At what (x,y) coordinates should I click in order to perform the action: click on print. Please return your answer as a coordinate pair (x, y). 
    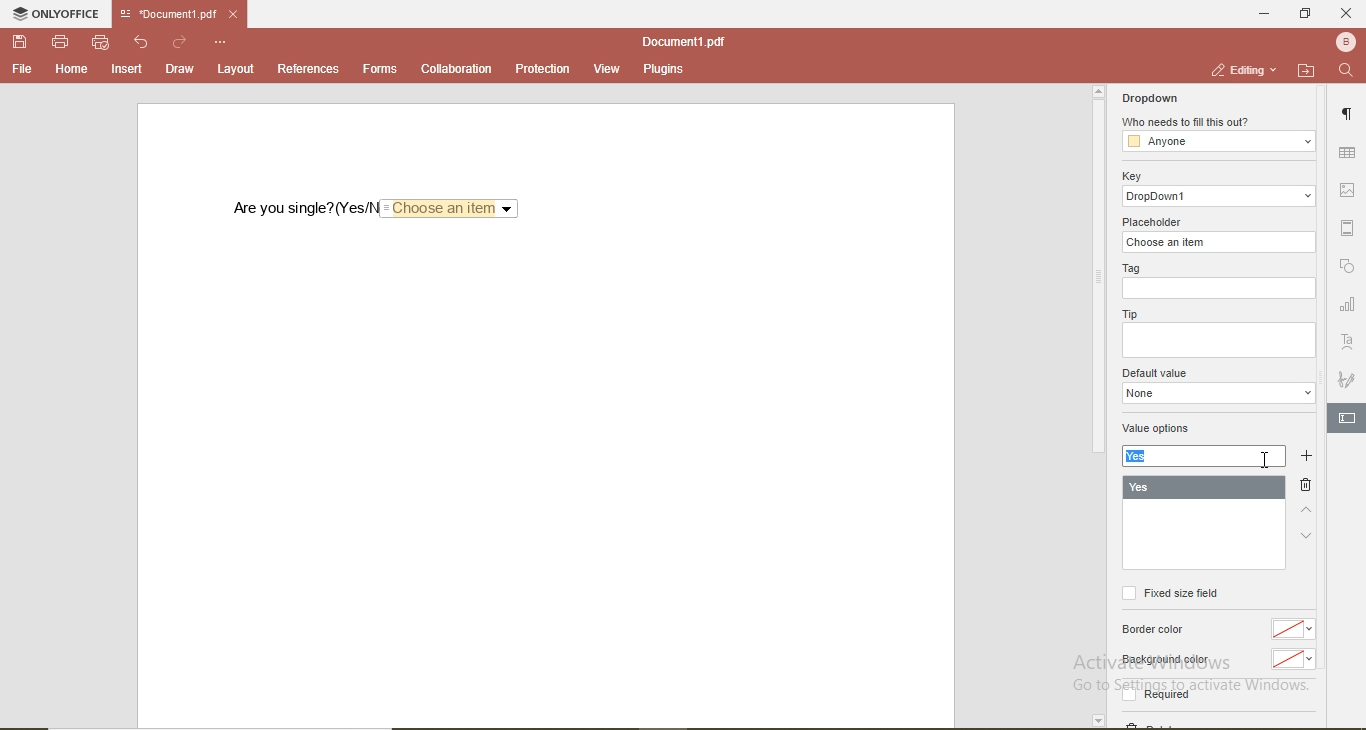
    Looking at the image, I should click on (62, 43).